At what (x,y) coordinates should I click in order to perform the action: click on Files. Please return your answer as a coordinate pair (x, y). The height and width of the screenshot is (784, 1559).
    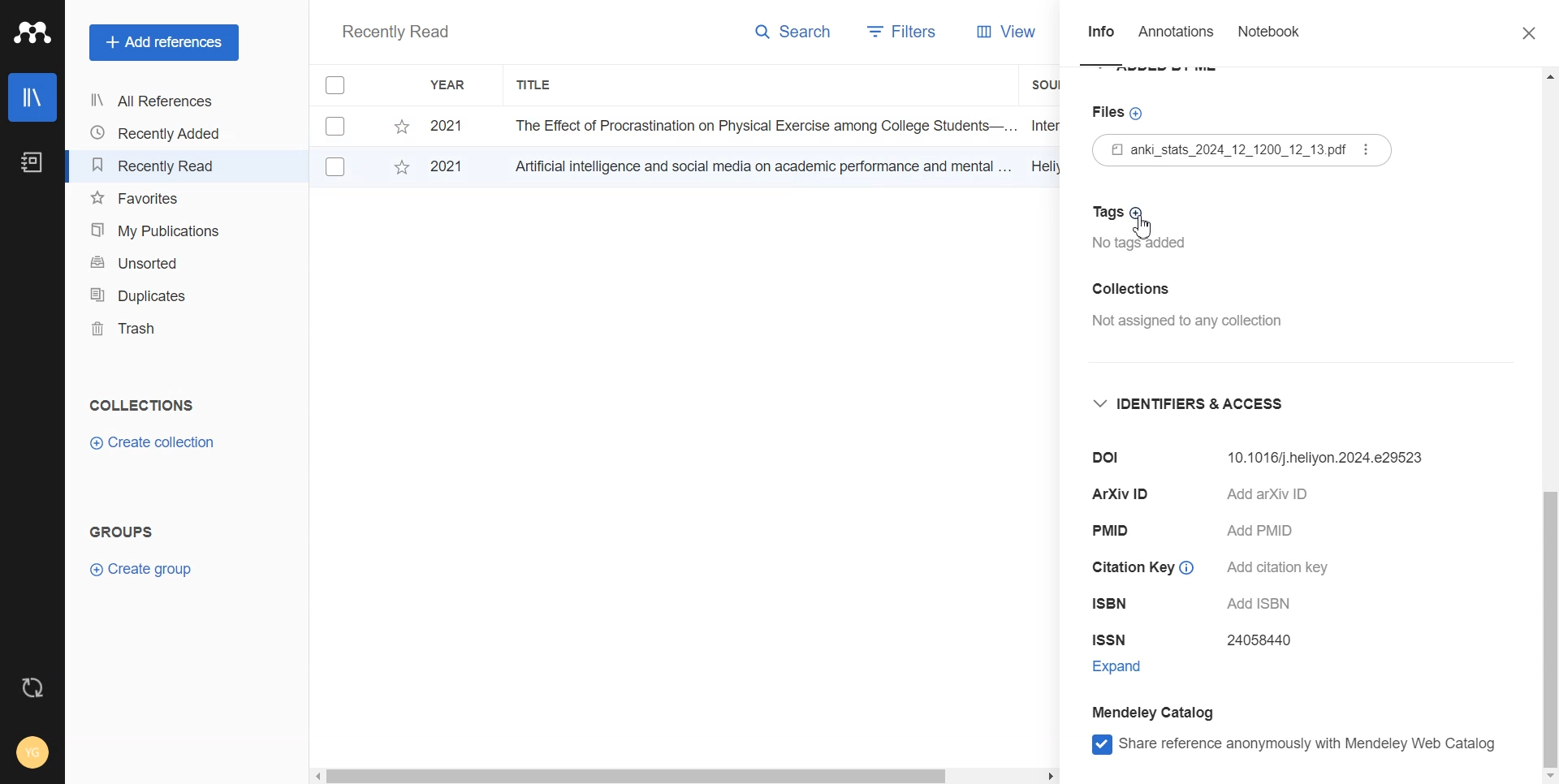
    Looking at the image, I should click on (1121, 114).